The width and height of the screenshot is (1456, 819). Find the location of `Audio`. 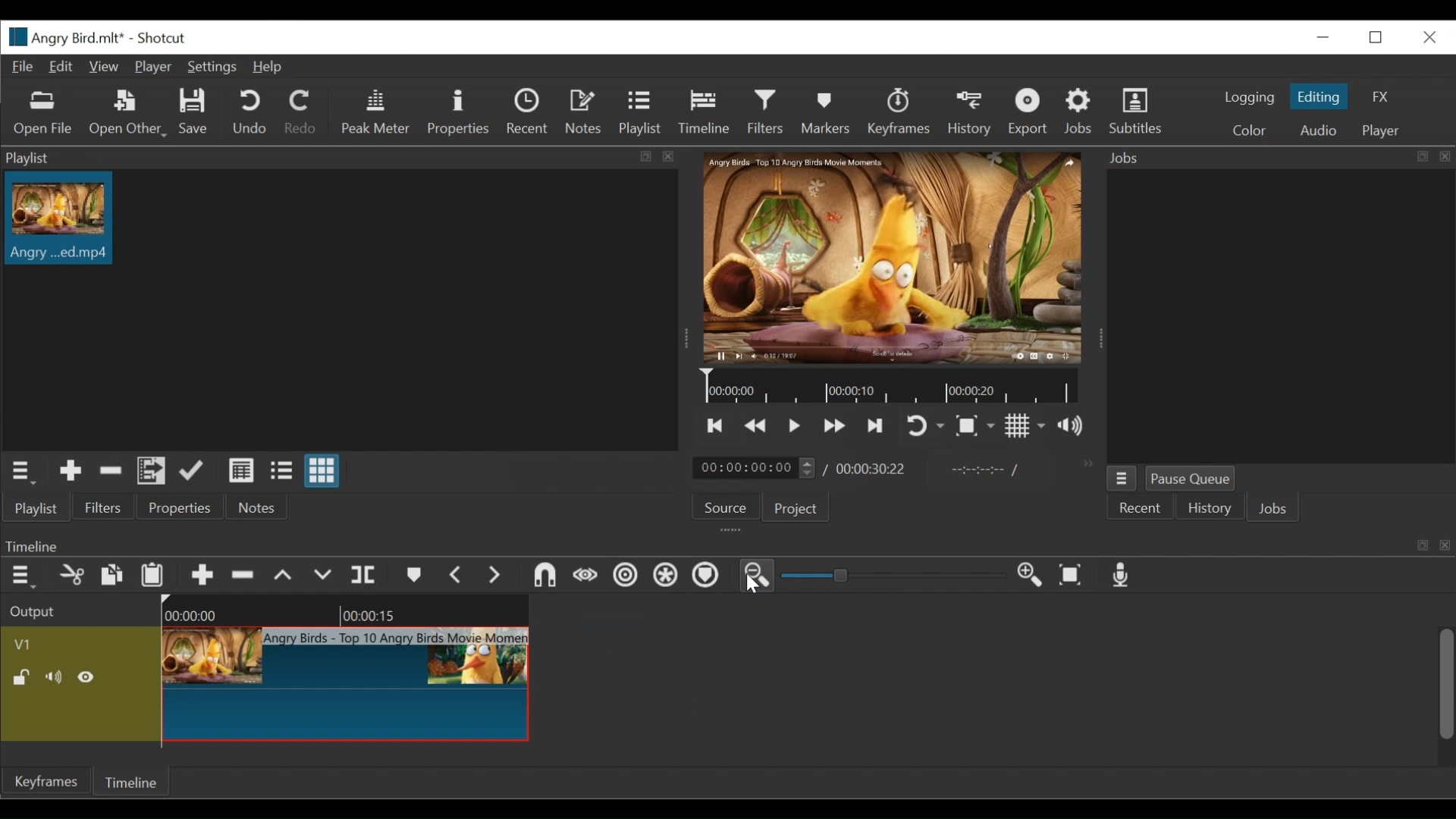

Audio is located at coordinates (1323, 130).